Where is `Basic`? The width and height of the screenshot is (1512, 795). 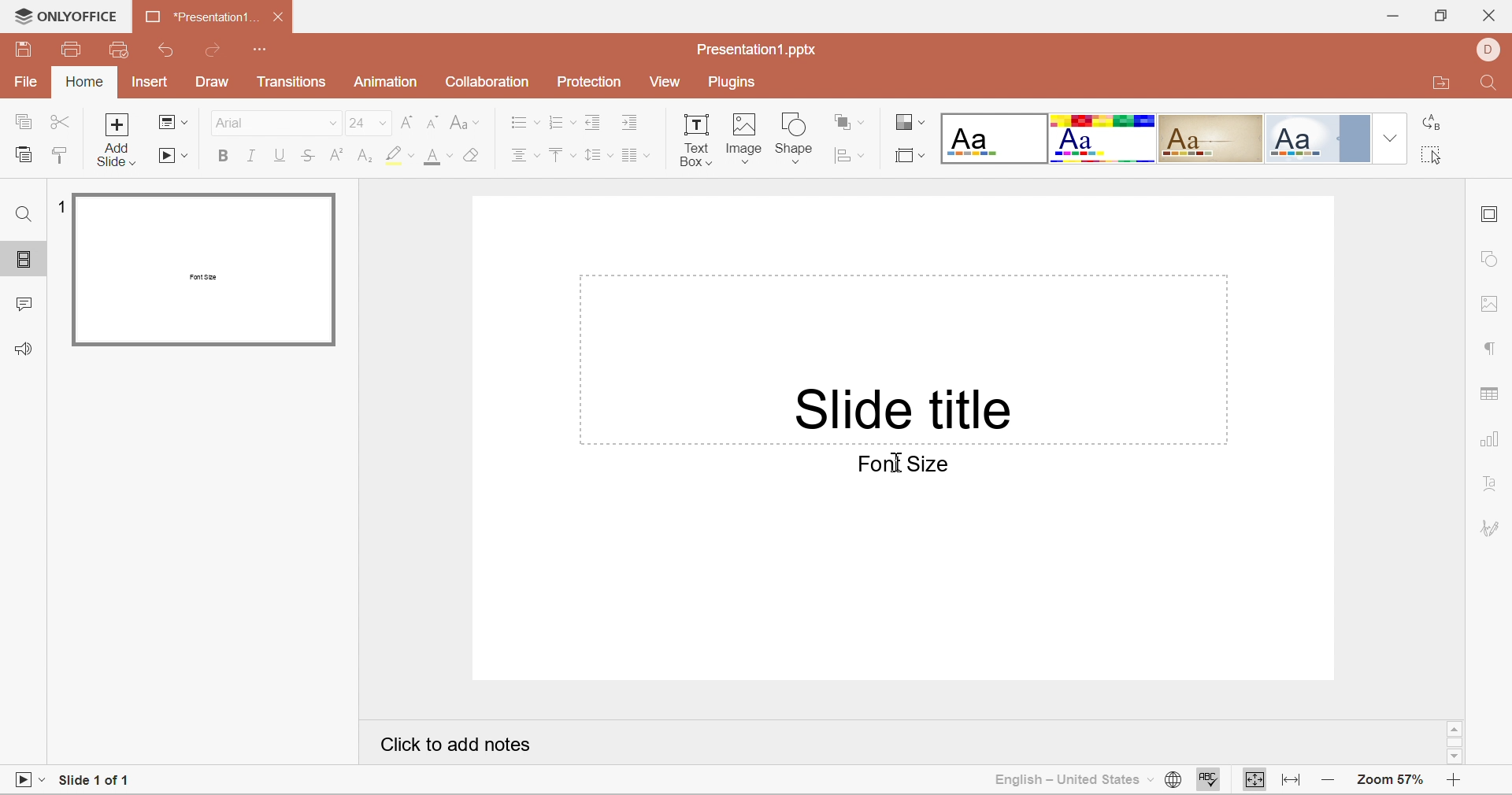
Basic is located at coordinates (1104, 139).